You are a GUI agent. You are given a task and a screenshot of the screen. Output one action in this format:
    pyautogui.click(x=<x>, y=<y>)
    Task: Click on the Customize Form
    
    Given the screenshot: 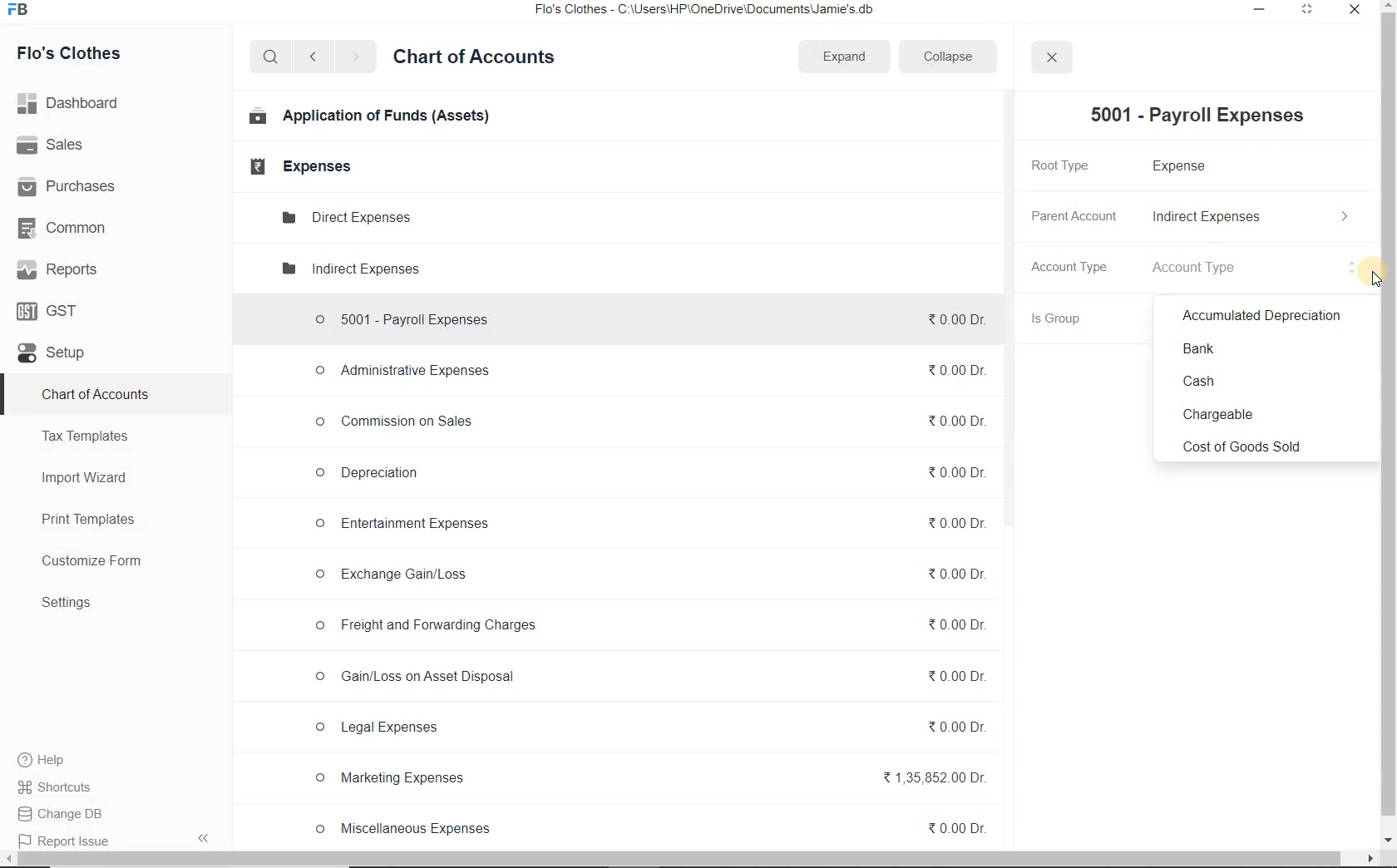 What is the action you would take?
    pyautogui.click(x=92, y=561)
    